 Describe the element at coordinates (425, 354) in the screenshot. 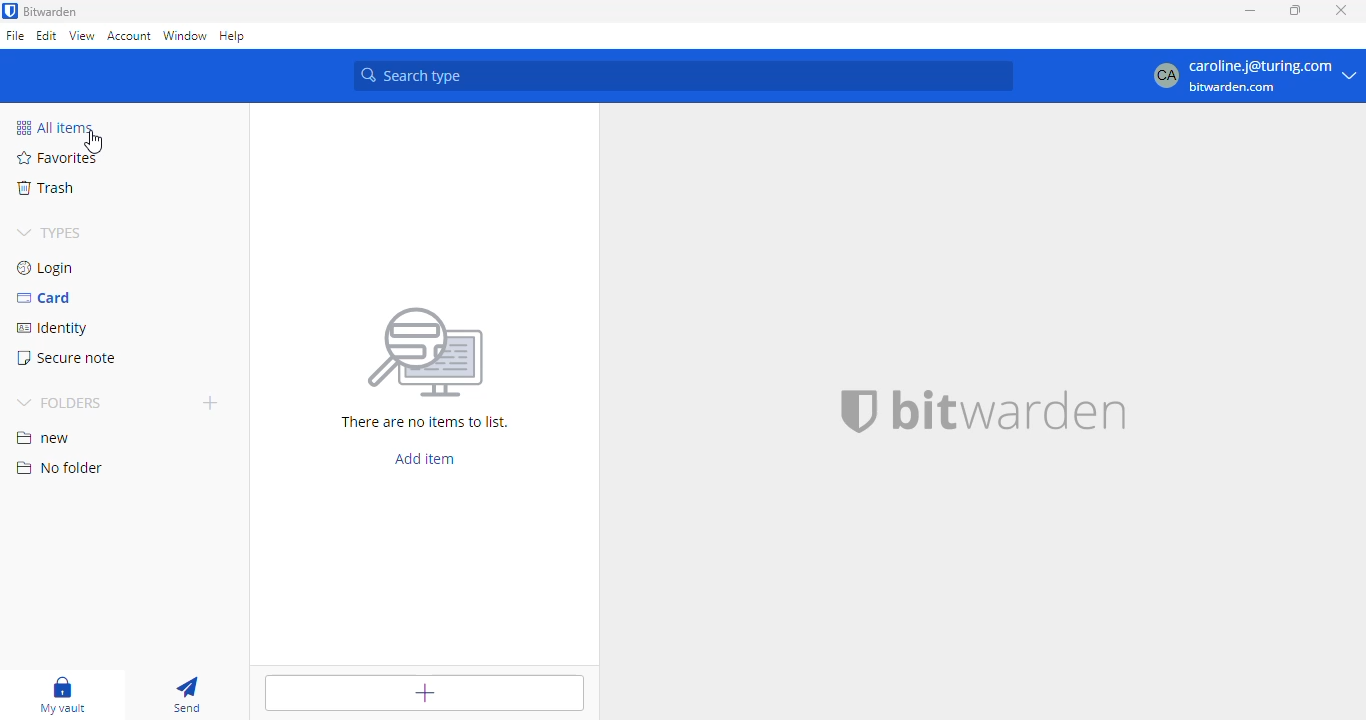

I see `icon` at that location.